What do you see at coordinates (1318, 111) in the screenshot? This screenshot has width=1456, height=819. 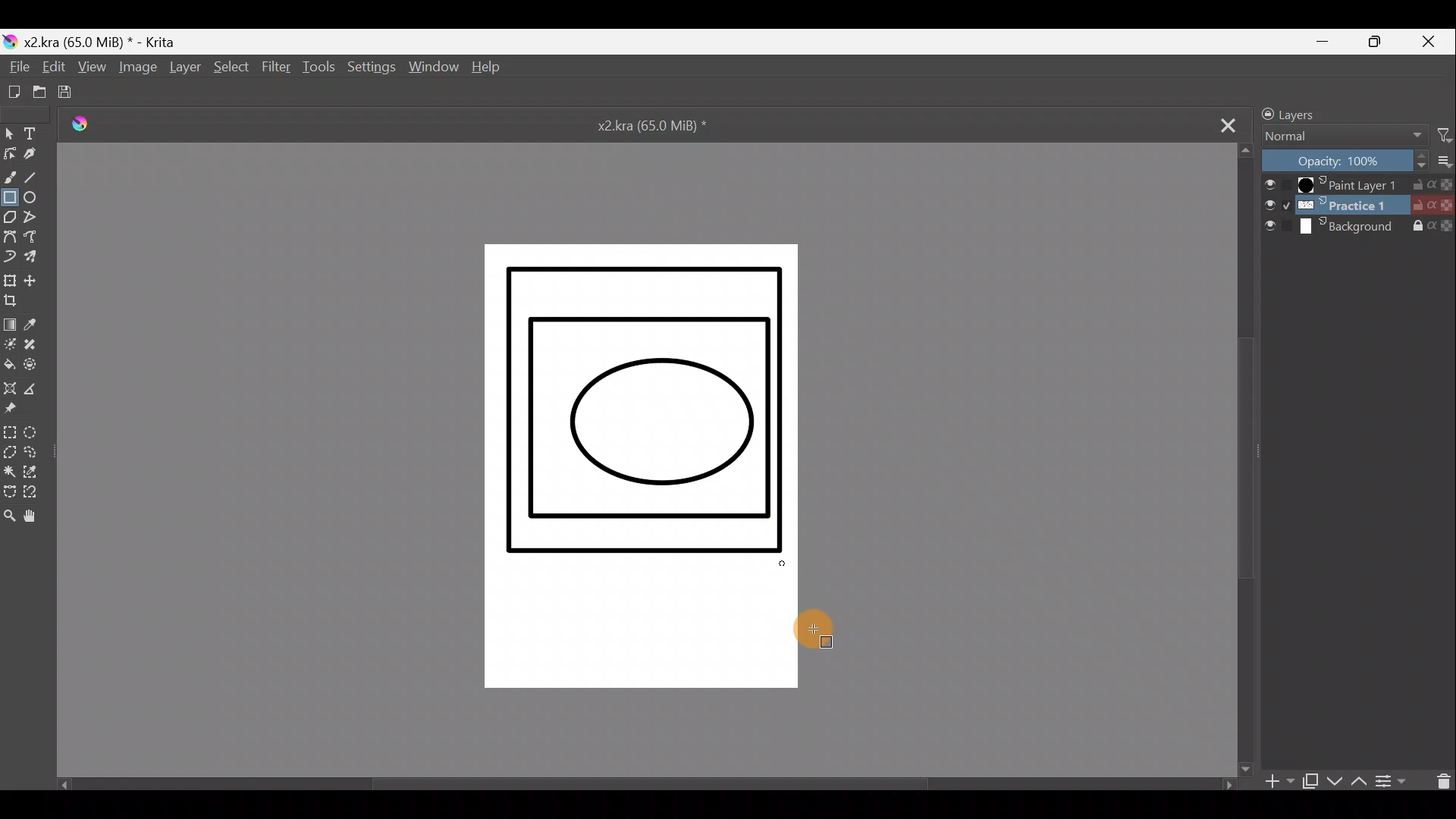 I see `Layers` at bounding box center [1318, 111].